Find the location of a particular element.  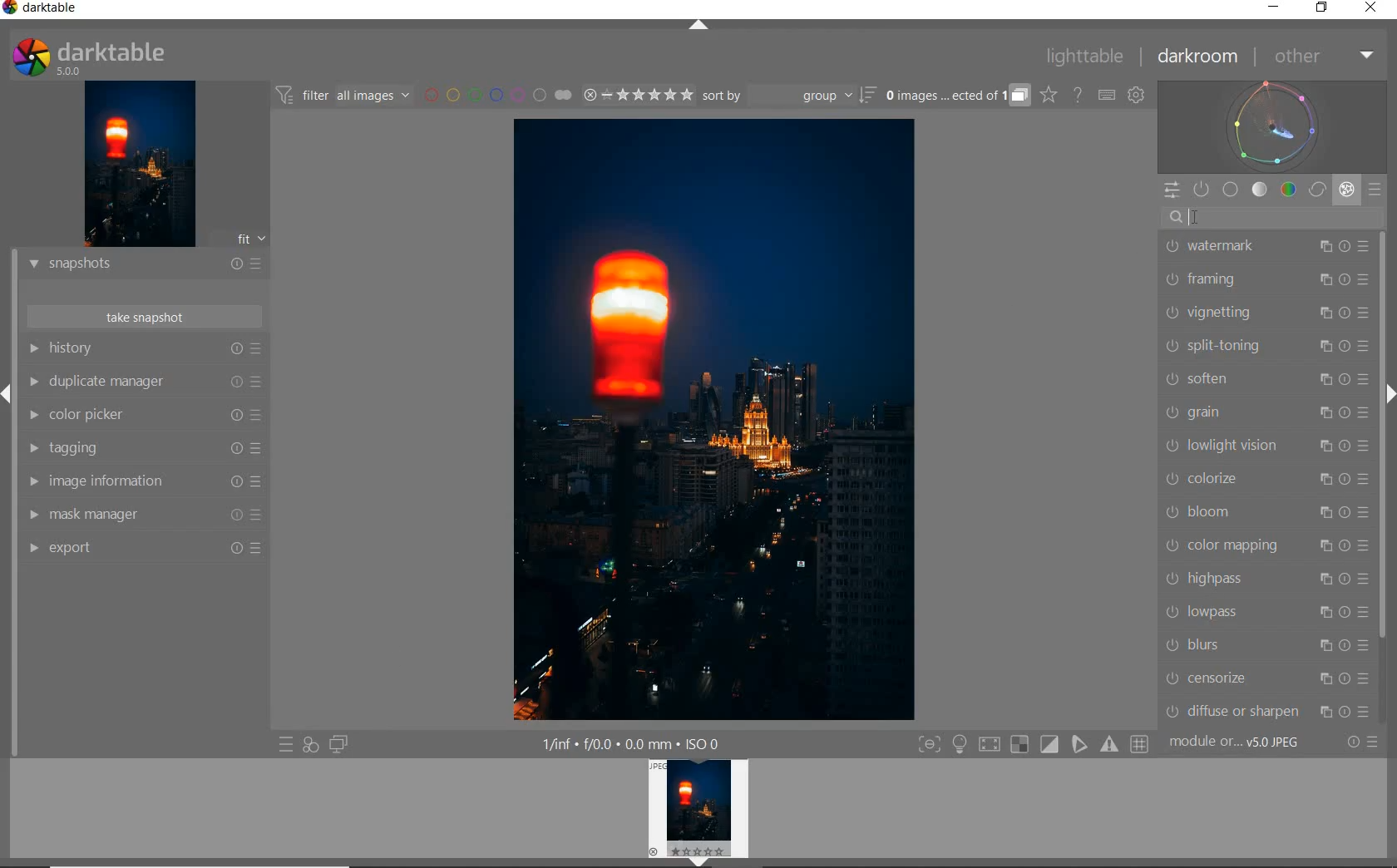

0 images ... ected of 1 is located at coordinates (957, 92).